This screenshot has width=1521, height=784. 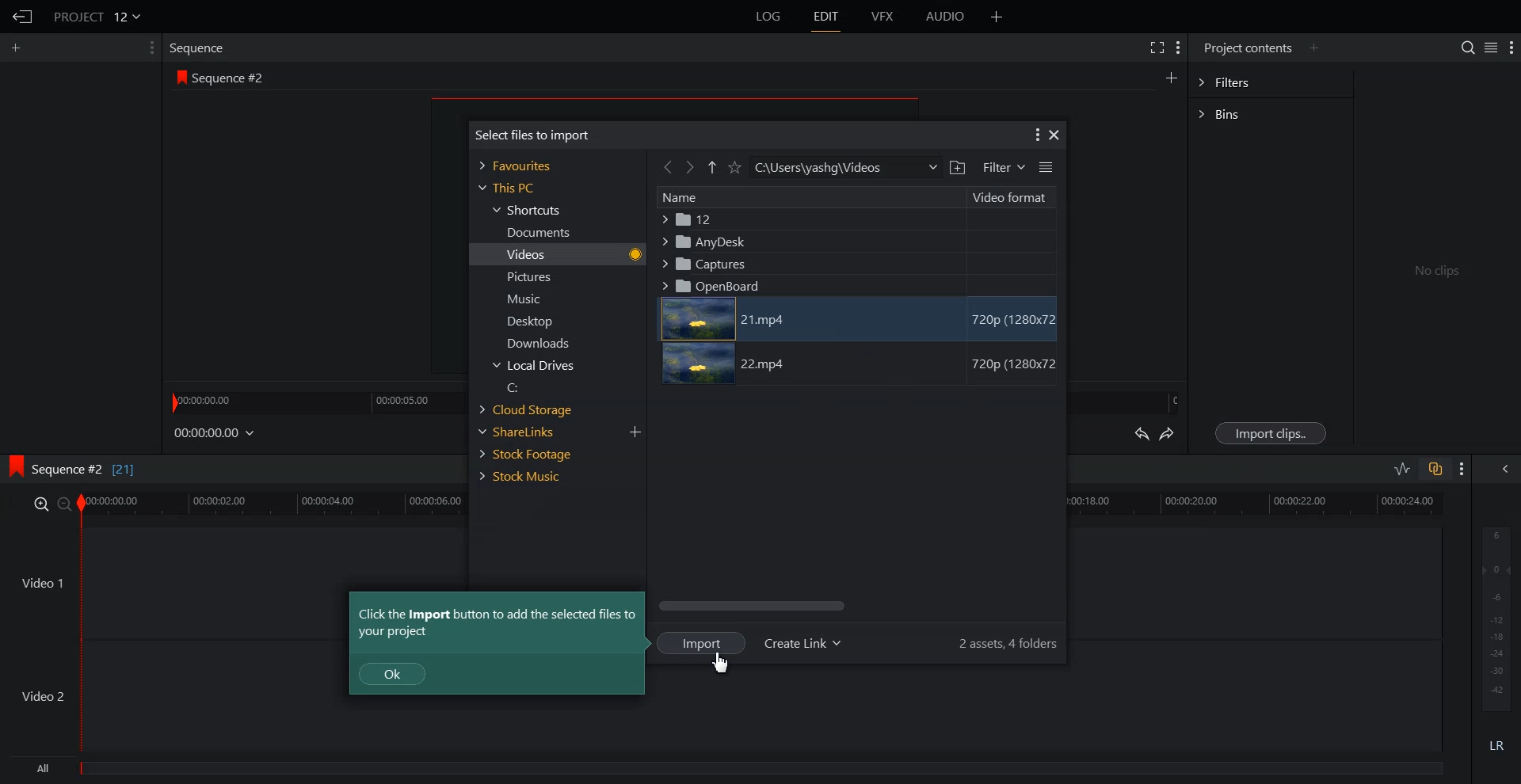 I want to click on 22.mp4.   720p(1280*72, so click(x=860, y=364).